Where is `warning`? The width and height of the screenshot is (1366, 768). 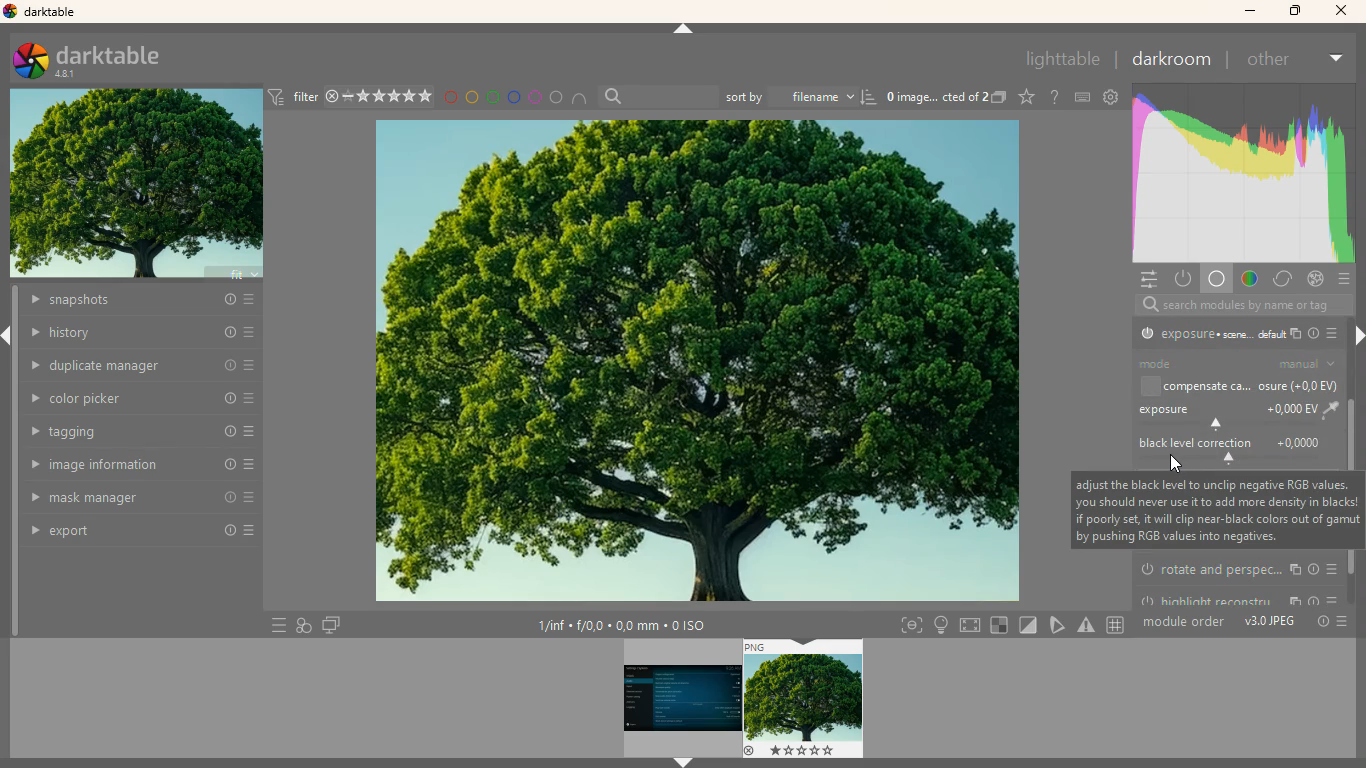
warning is located at coordinates (1089, 625).